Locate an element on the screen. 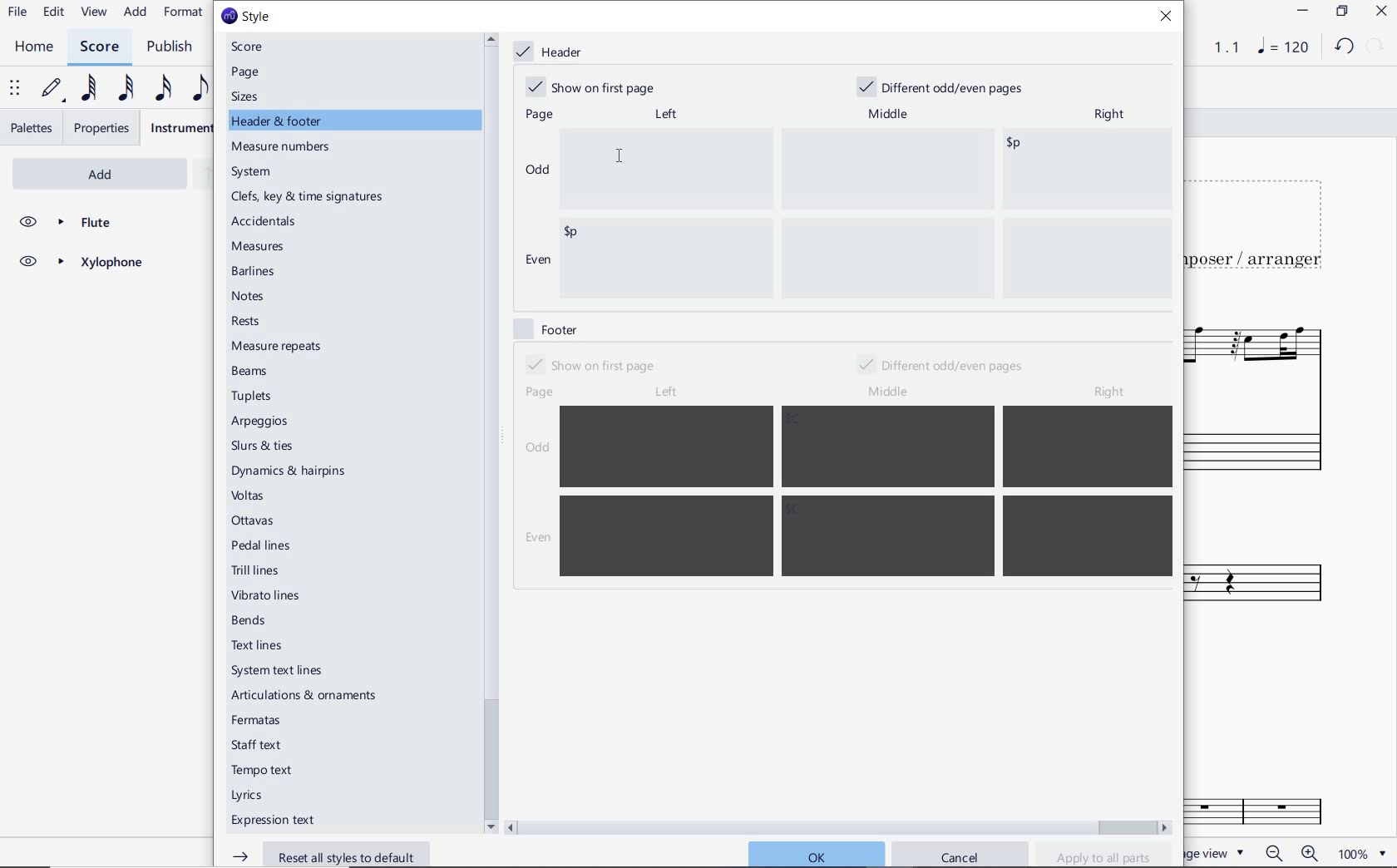 This screenshot has height=868, width=1397. 16TH NOTE is located at coordinates (163, 87).